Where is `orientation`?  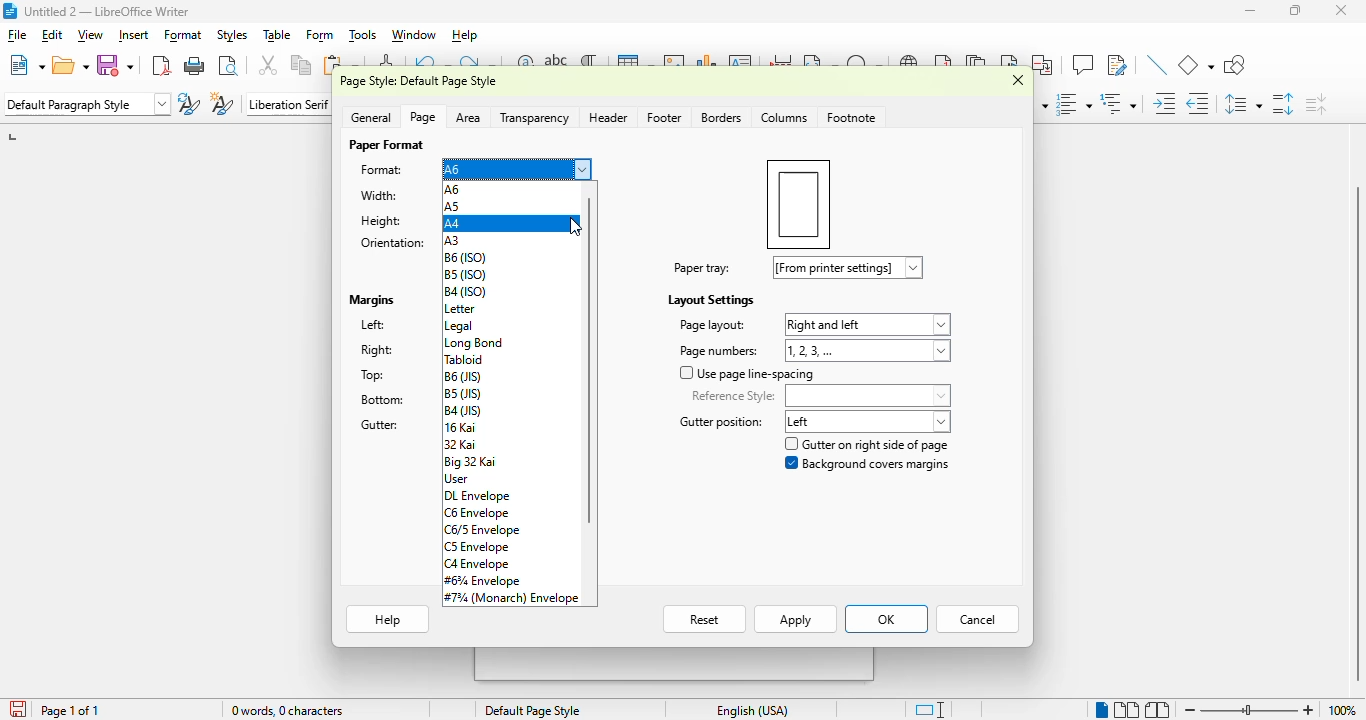 orientation is located at coordinates (393, 243).